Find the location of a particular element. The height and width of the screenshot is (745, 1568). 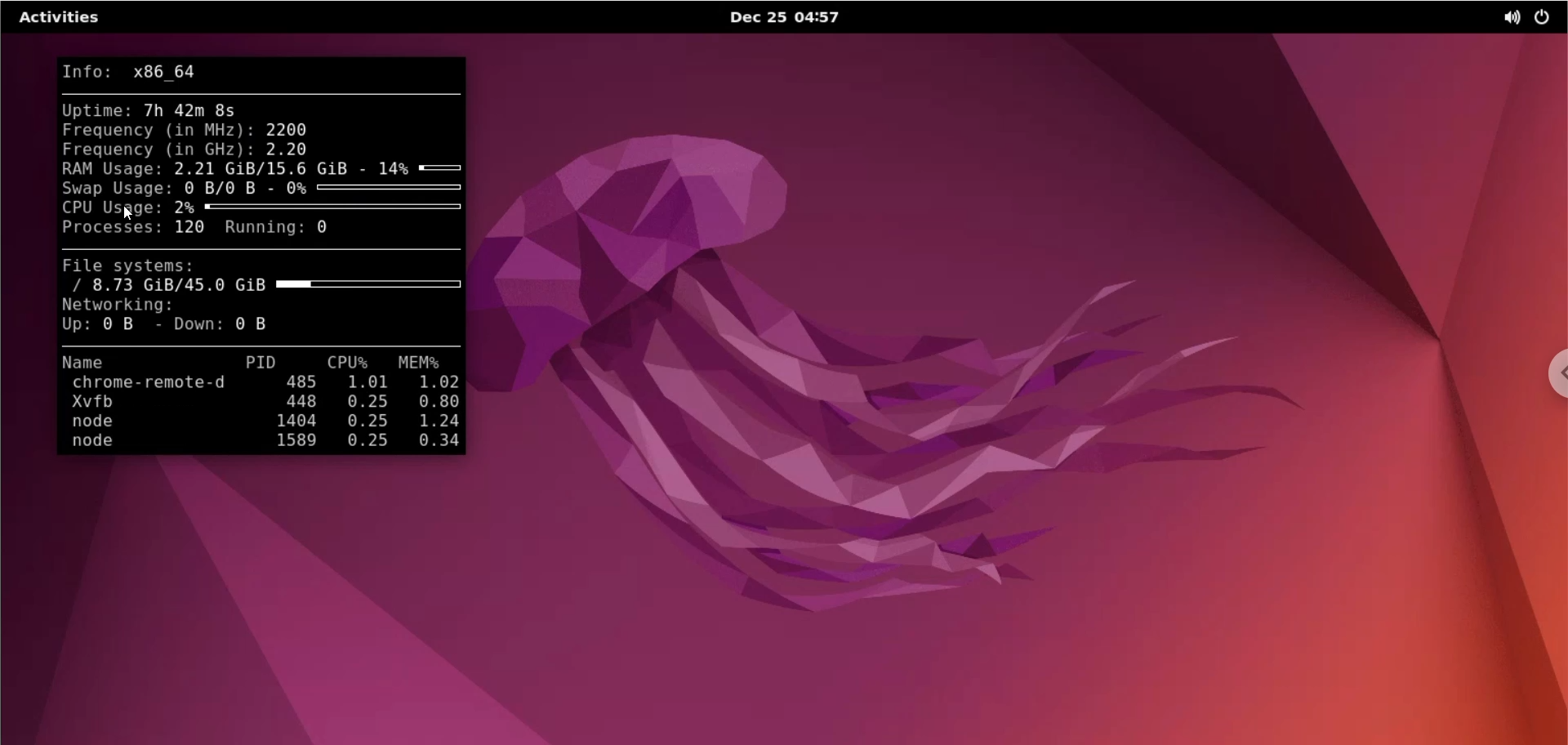

frequency (in MHz): is located at coordinates (155, 131).